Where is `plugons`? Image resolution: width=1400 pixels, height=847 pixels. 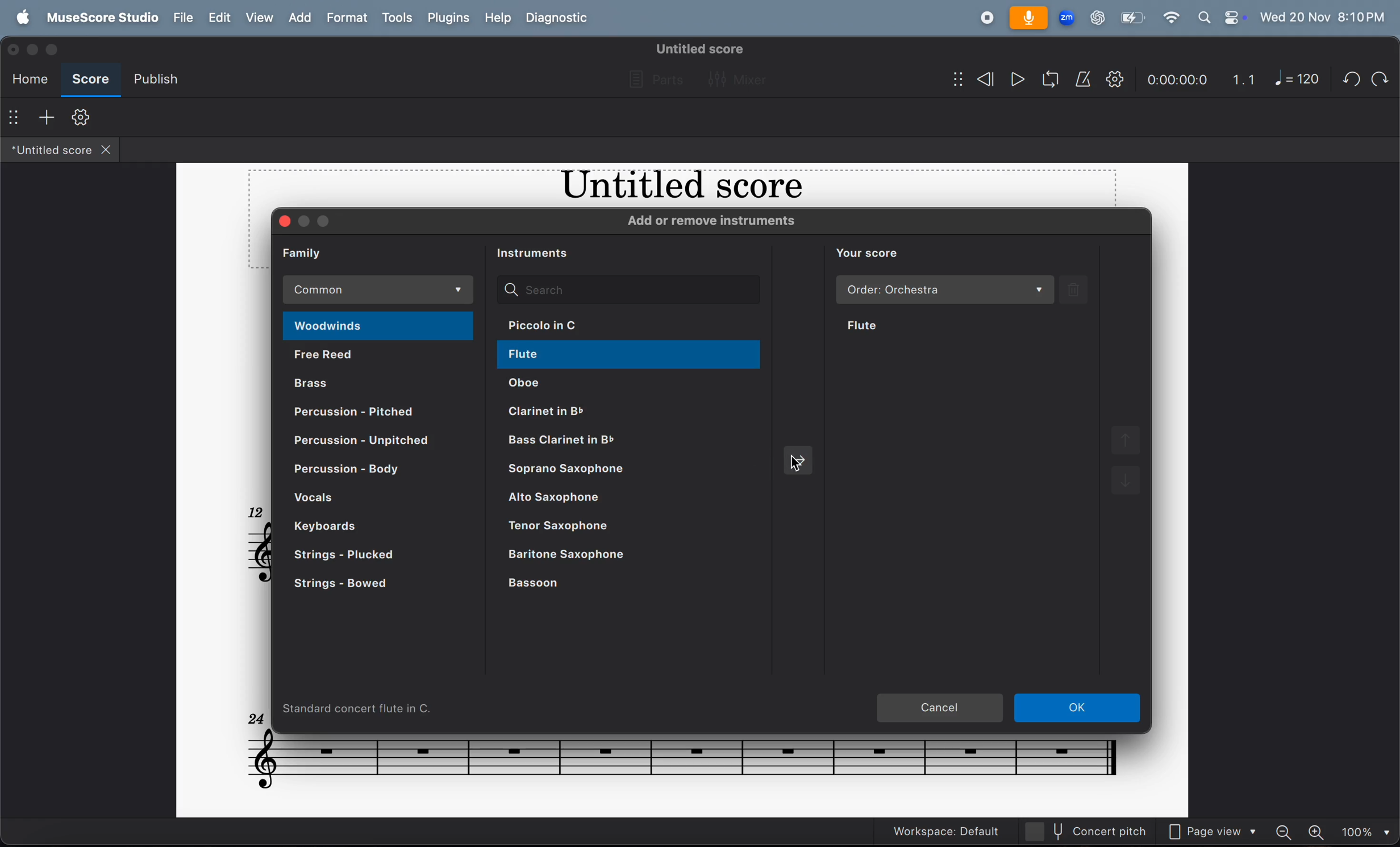
plugons is located at coordinates (450, 18).